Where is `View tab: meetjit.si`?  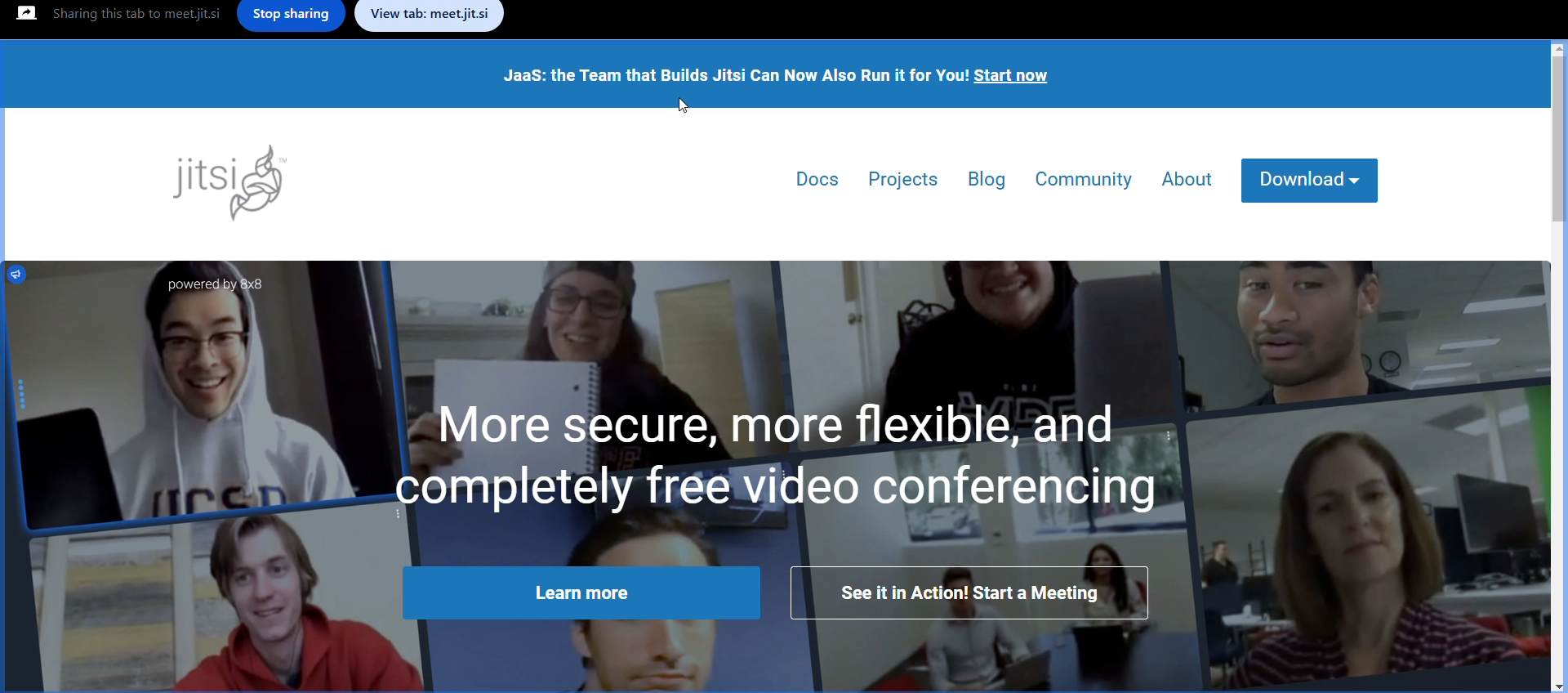
View tab: meetjit.si is located at coordinates (431, 17).